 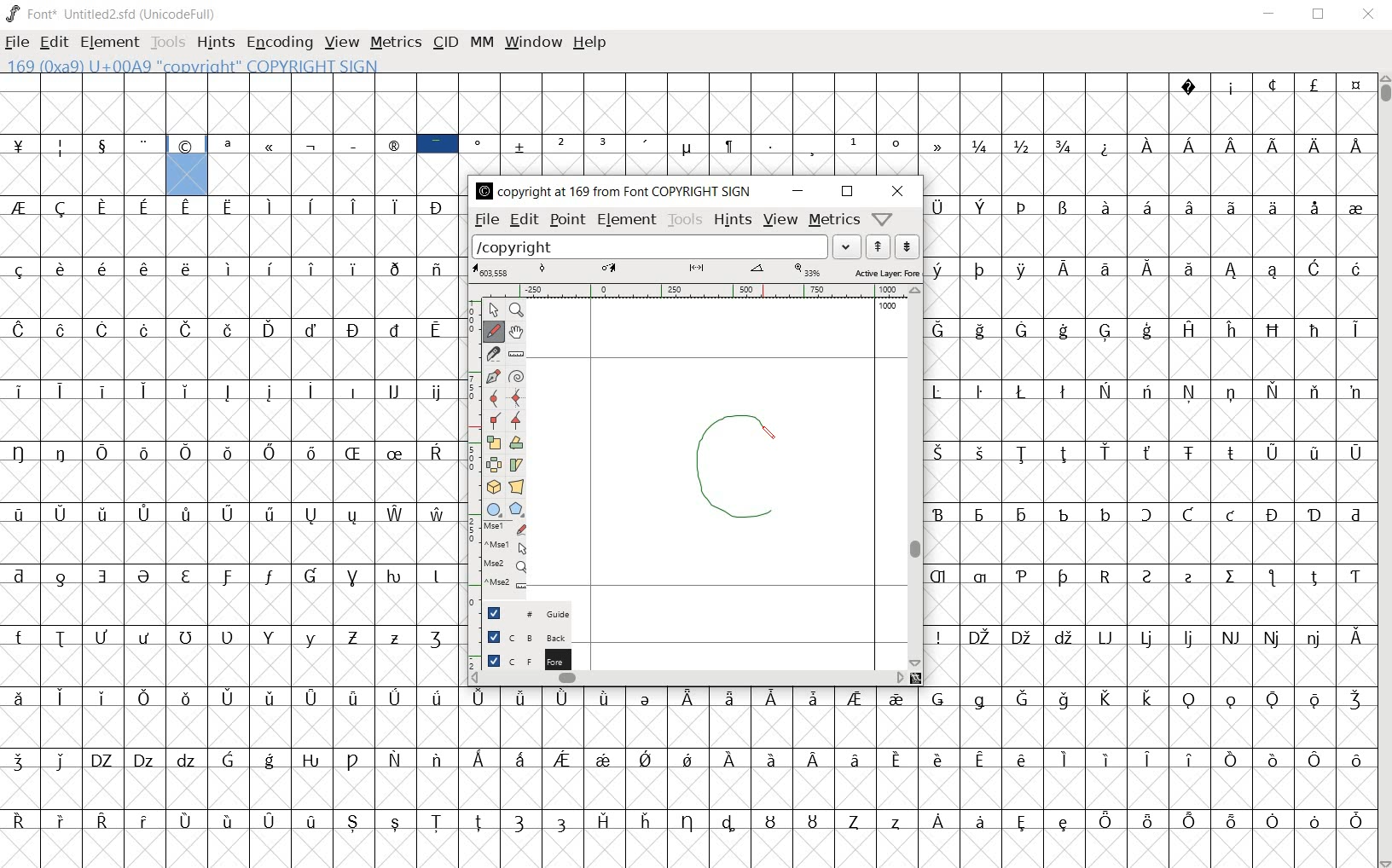 What do you see at coordinates (1320, 14) in the screenshot?
I see `restore` at bounding box center [1320, 14].